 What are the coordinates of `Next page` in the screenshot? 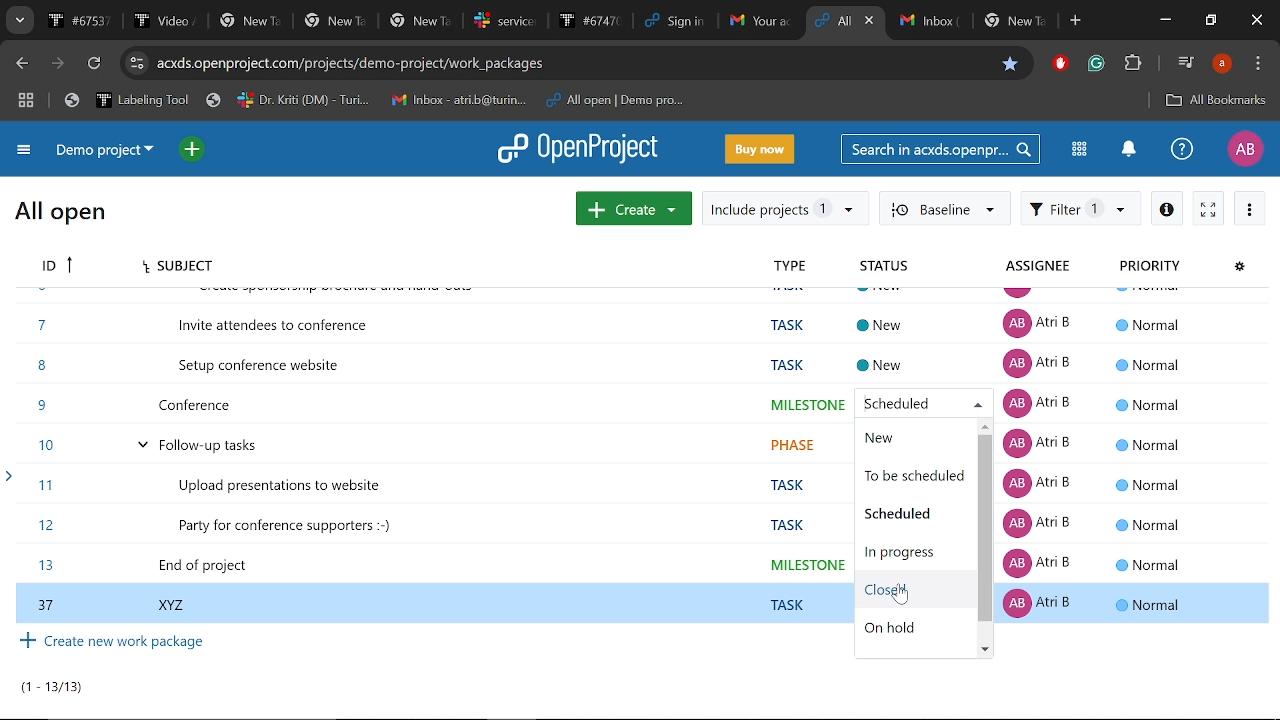 It's located at (61, 63).